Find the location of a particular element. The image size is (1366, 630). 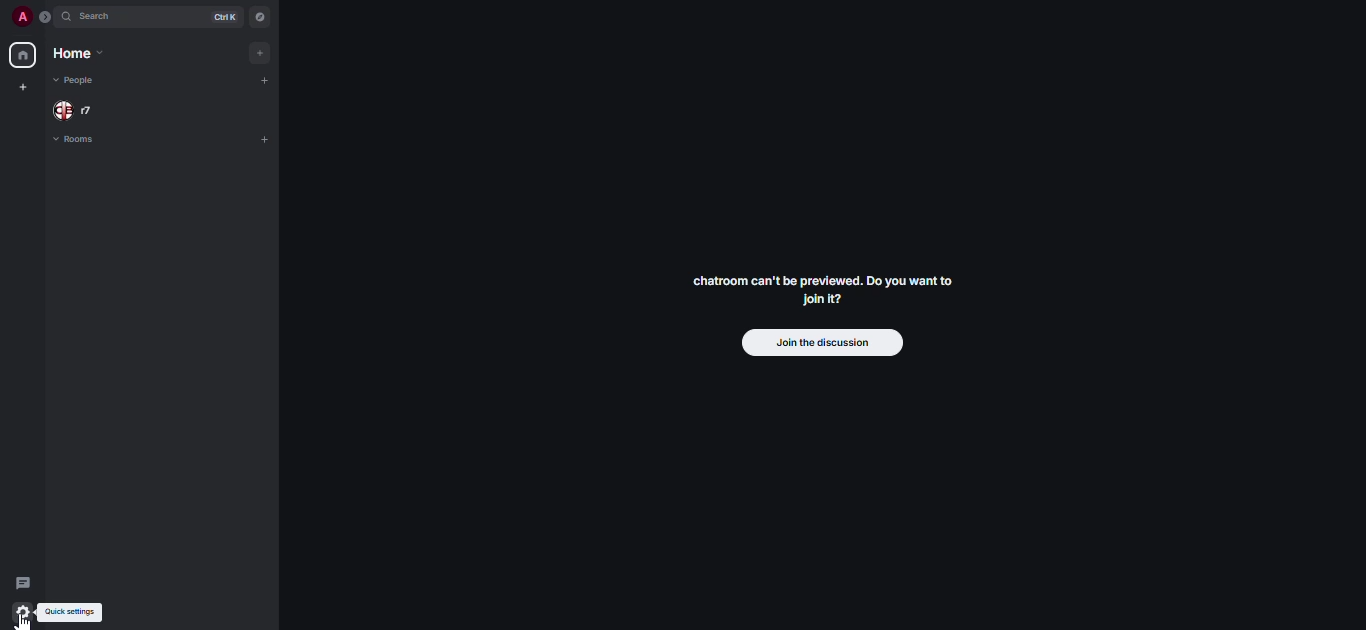

navigator is located at coordinates (262, 15).